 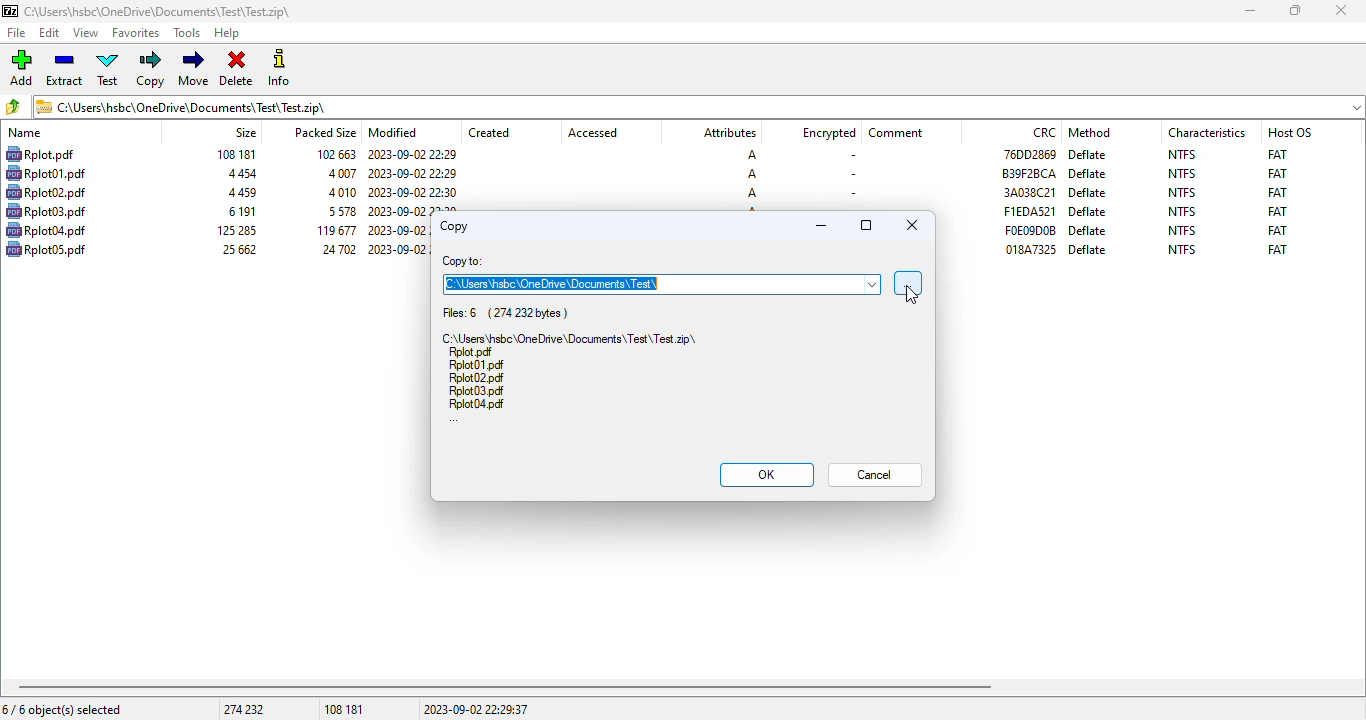 I want to click on size, so click(x=238, y=249).